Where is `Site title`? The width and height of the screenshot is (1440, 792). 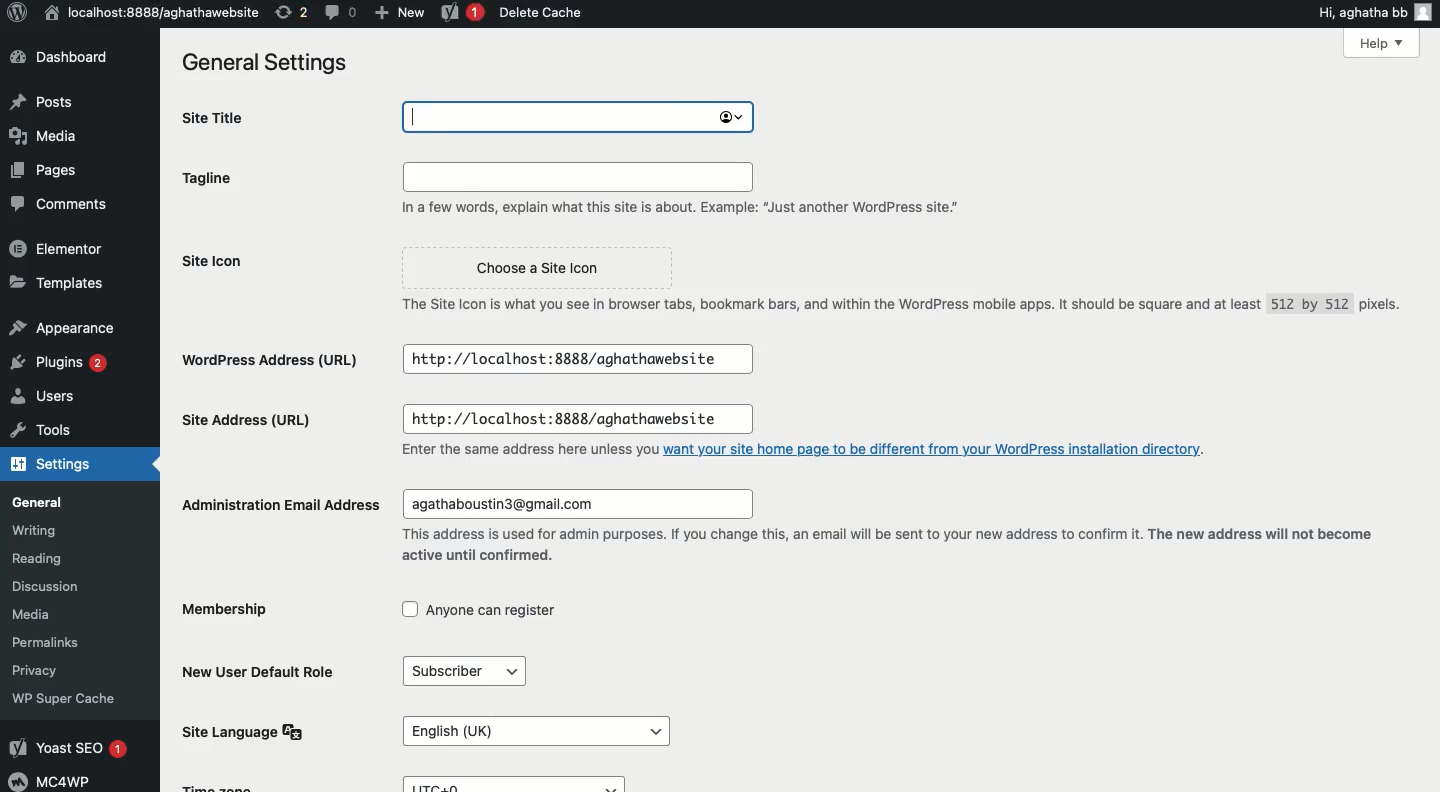 Site title is located at coordinates (215, 116).